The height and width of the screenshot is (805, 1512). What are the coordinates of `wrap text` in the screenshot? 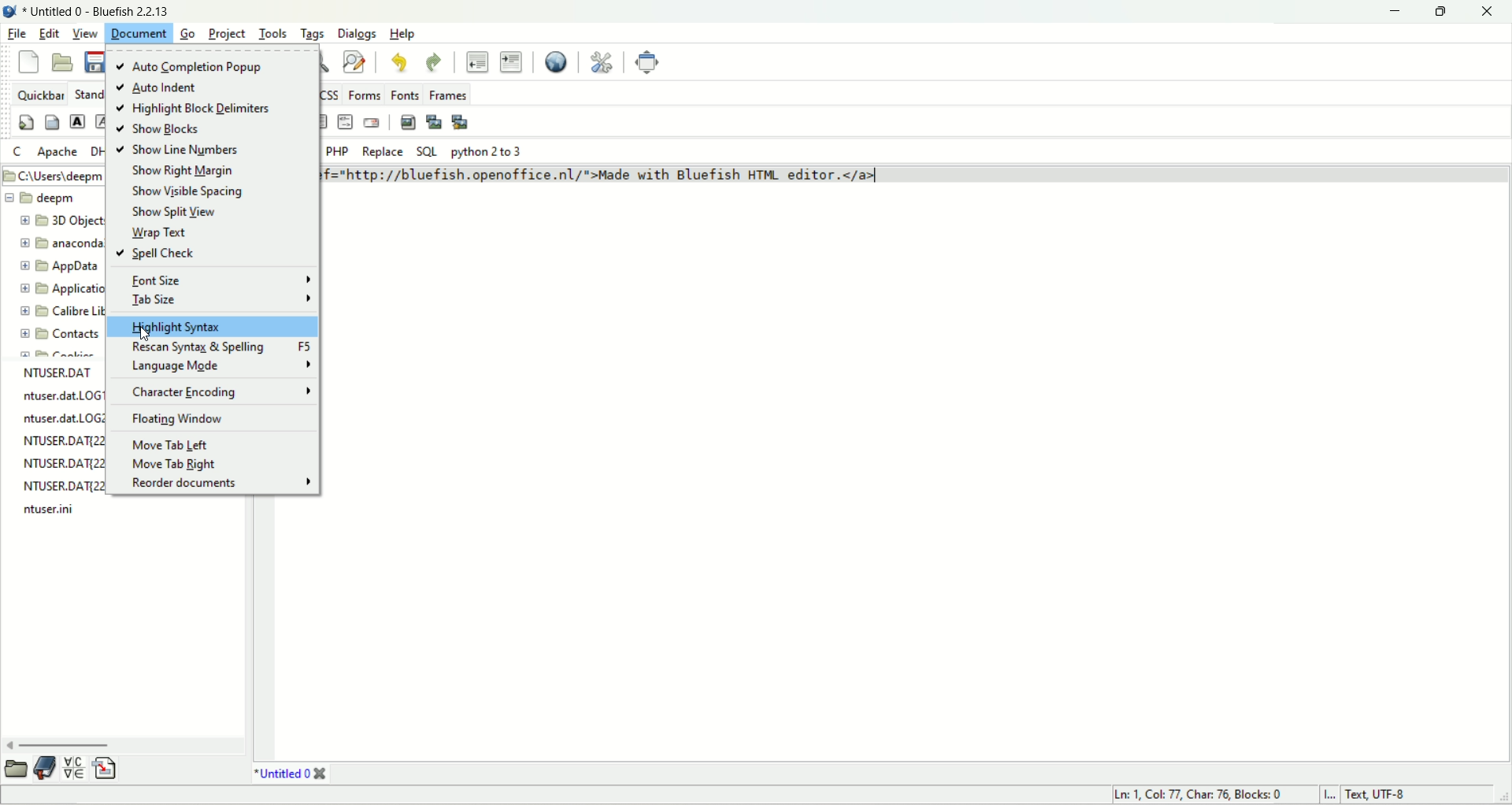 It's located at (156, 232).